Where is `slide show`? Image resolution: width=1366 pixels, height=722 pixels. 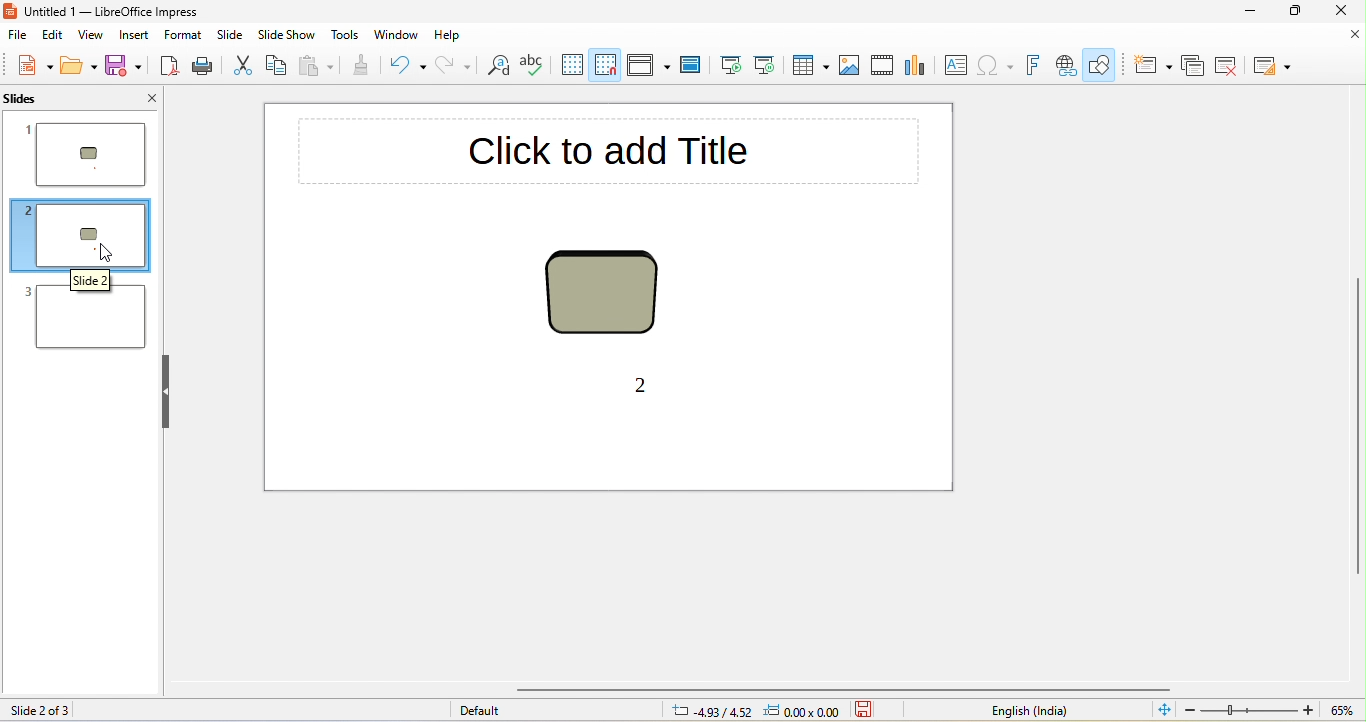 slide show is located at coordinates (285, 36).